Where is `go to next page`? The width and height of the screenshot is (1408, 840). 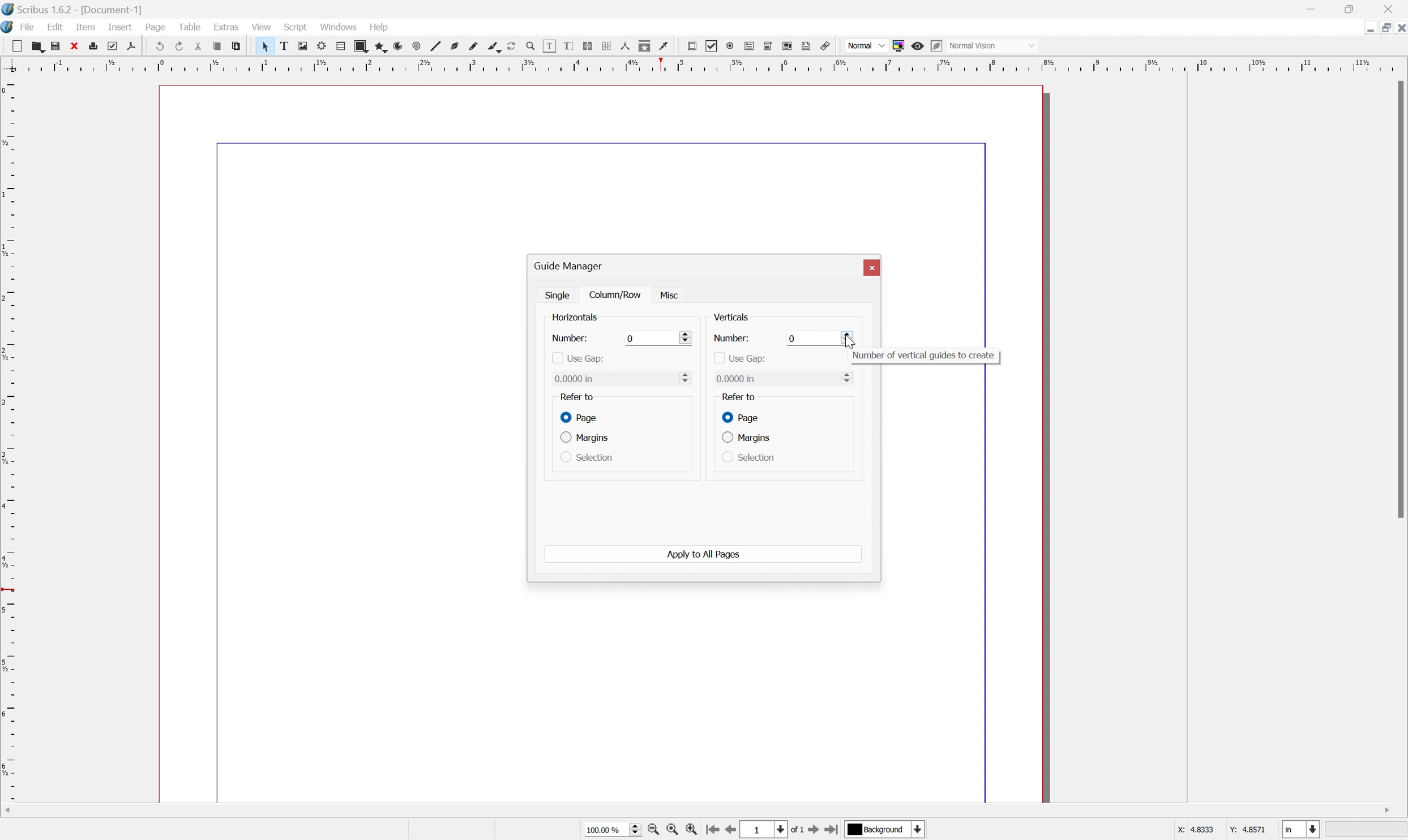
go to next page is located at coordinates (811, 832).